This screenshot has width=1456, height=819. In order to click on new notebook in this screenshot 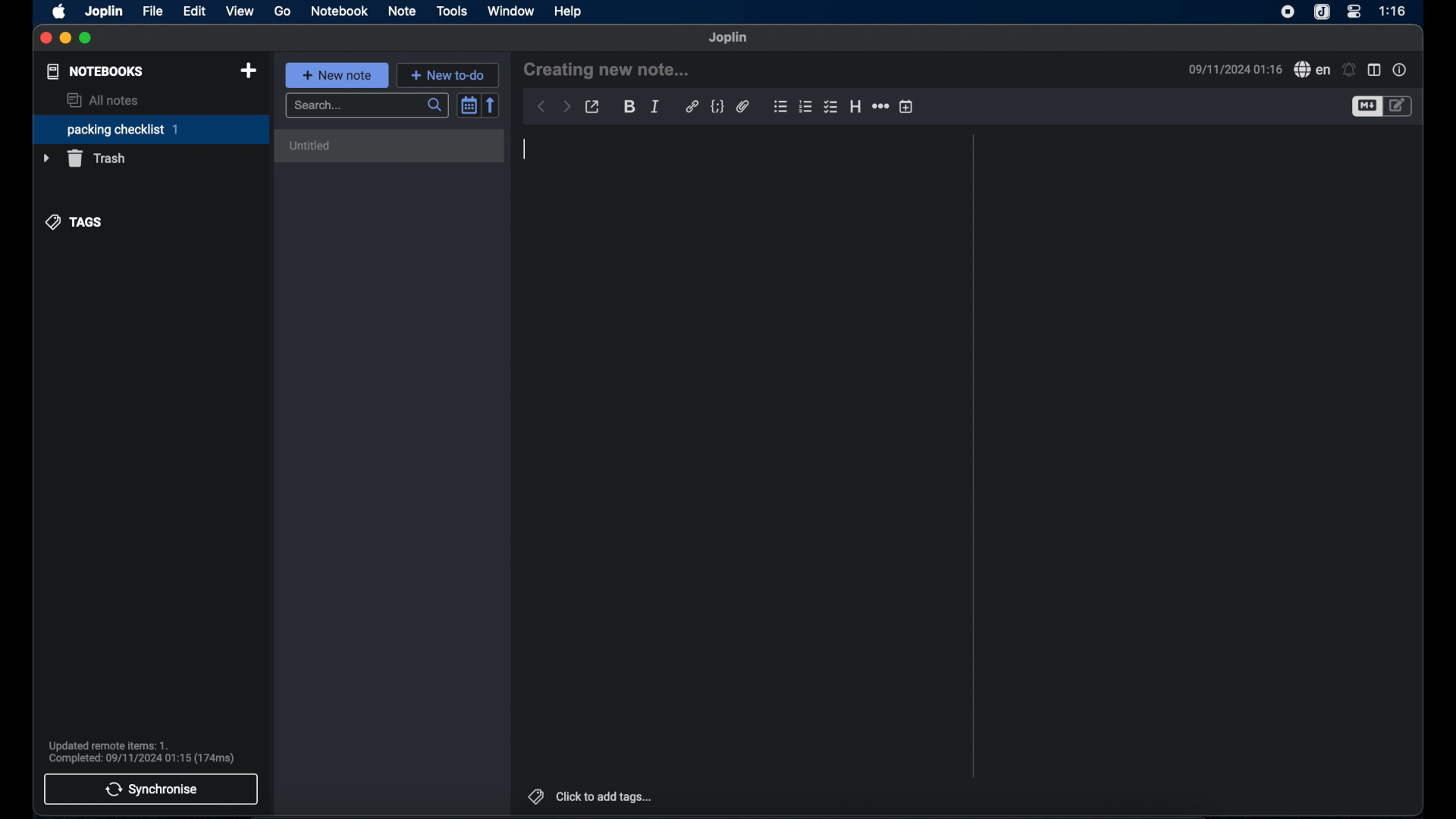, I will do `click(248, 71)`.